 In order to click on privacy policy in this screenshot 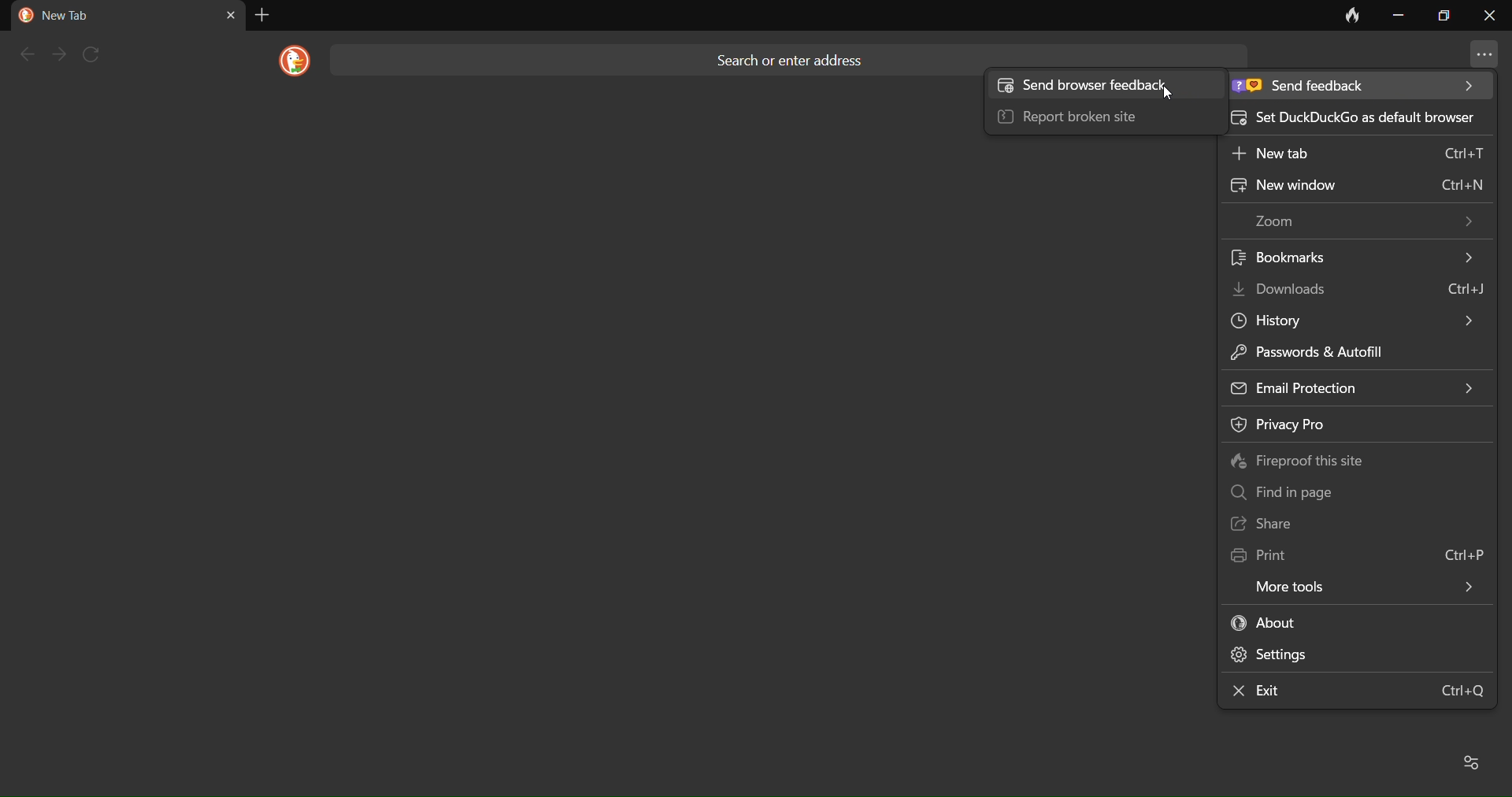, I will do `click(1356, 424)`.